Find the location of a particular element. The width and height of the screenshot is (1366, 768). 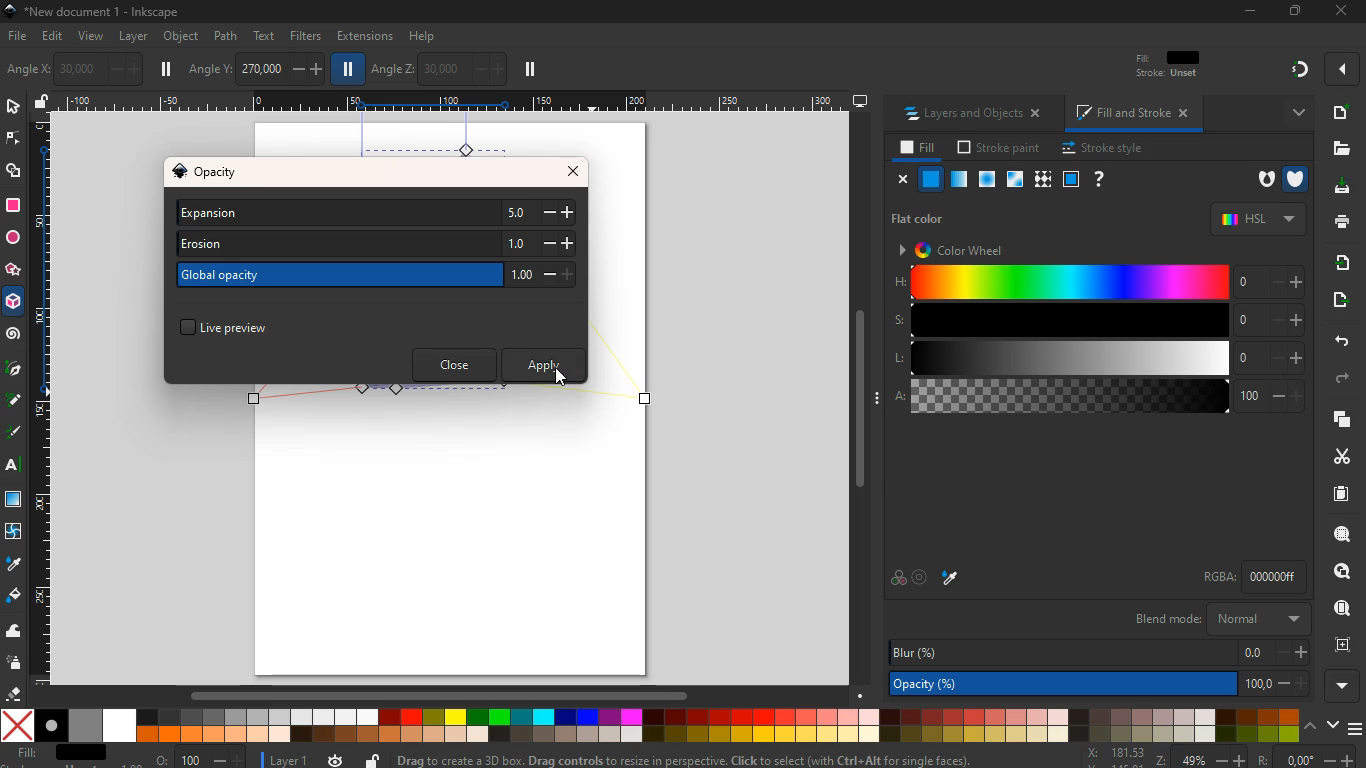

a is located at coordinates (1098, 399).